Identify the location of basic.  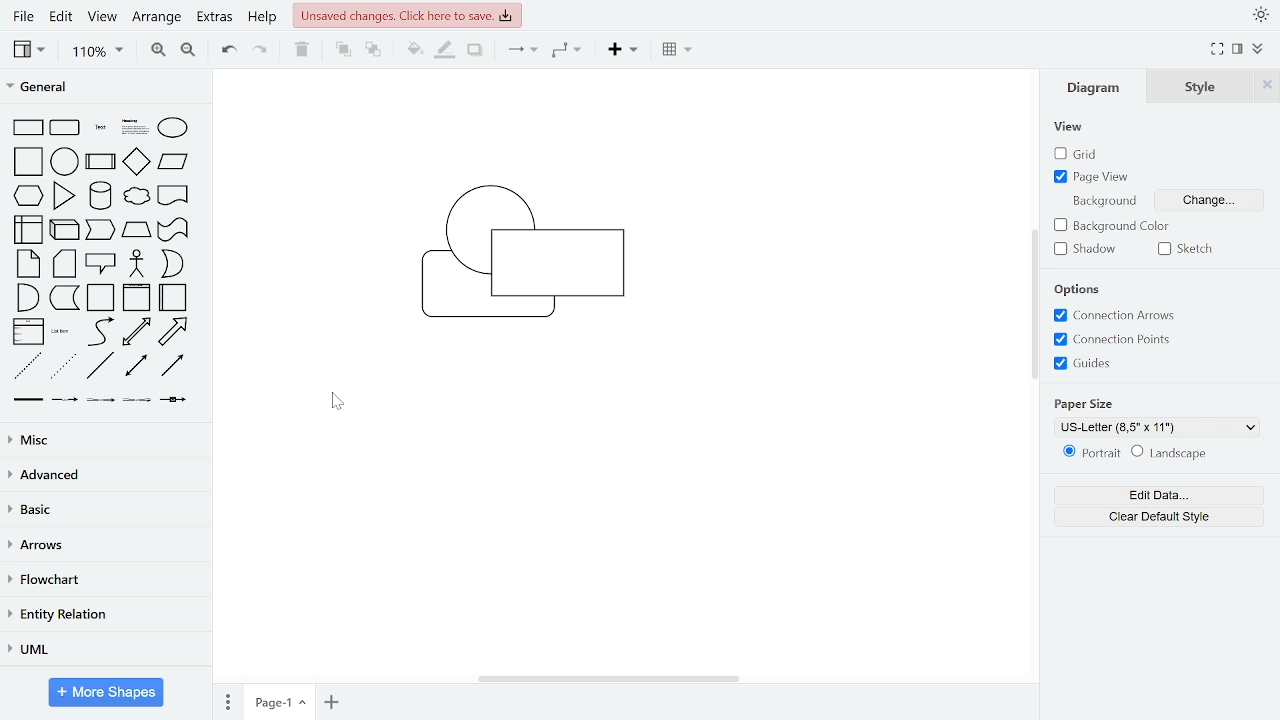
(106, 509).